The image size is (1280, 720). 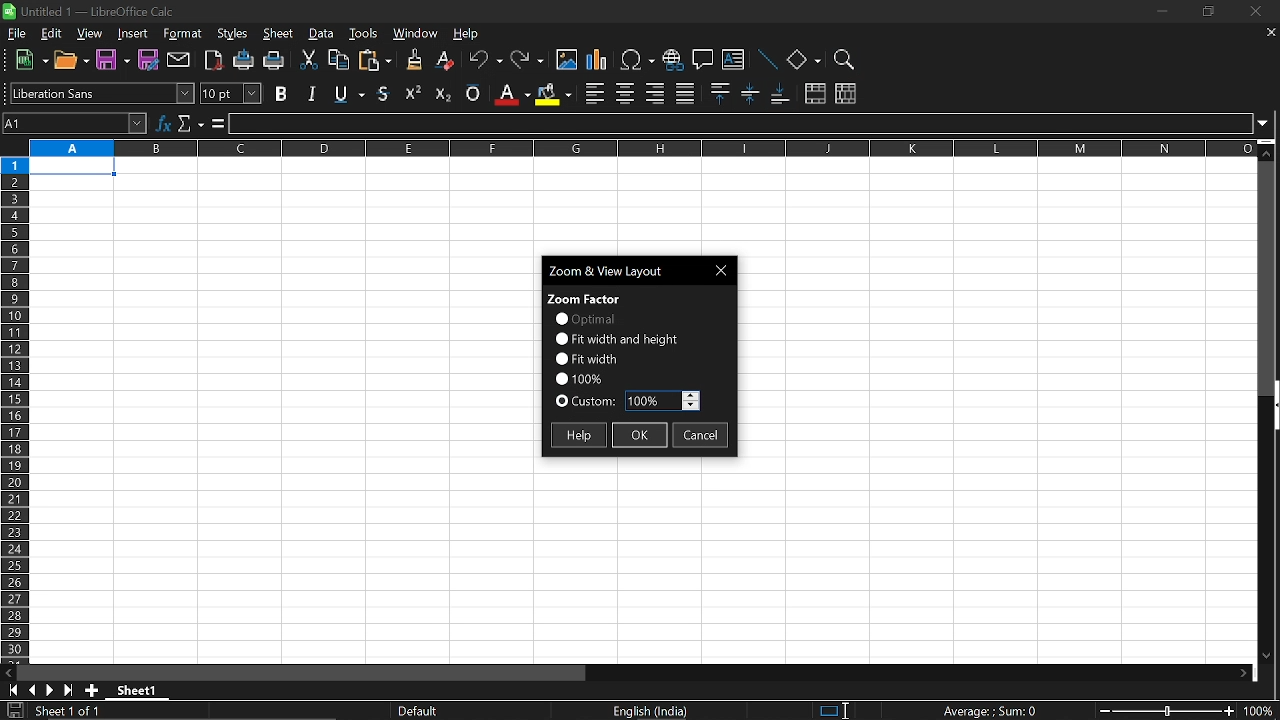 What do you see at coordinates (233, 35) in the screenshot?
I see `styles` at bounding box center [233, 35].